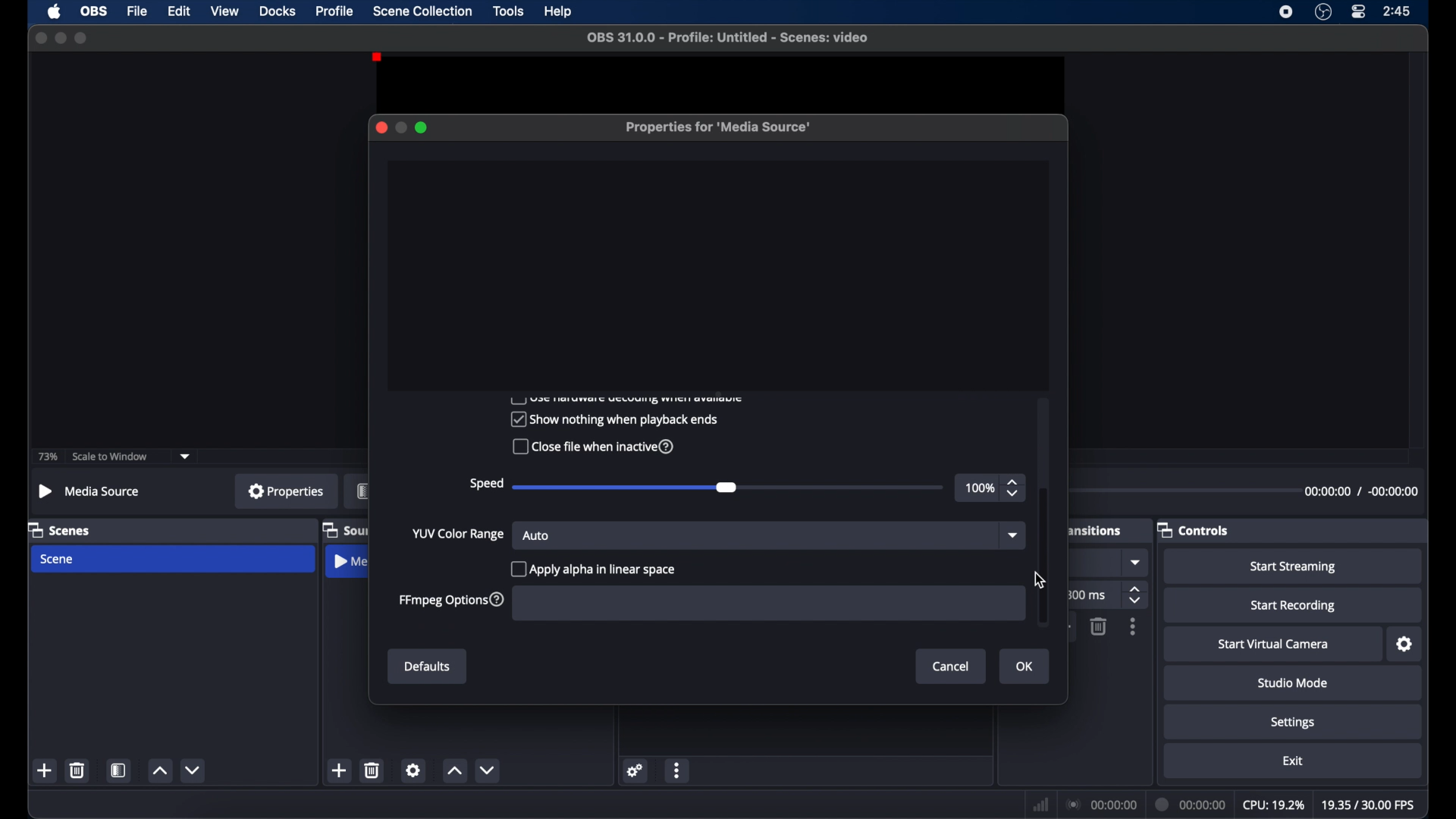  What do you see at coordinates (345, 529) in the screenshot?
I see `sources` at bounding box center [345, 529].